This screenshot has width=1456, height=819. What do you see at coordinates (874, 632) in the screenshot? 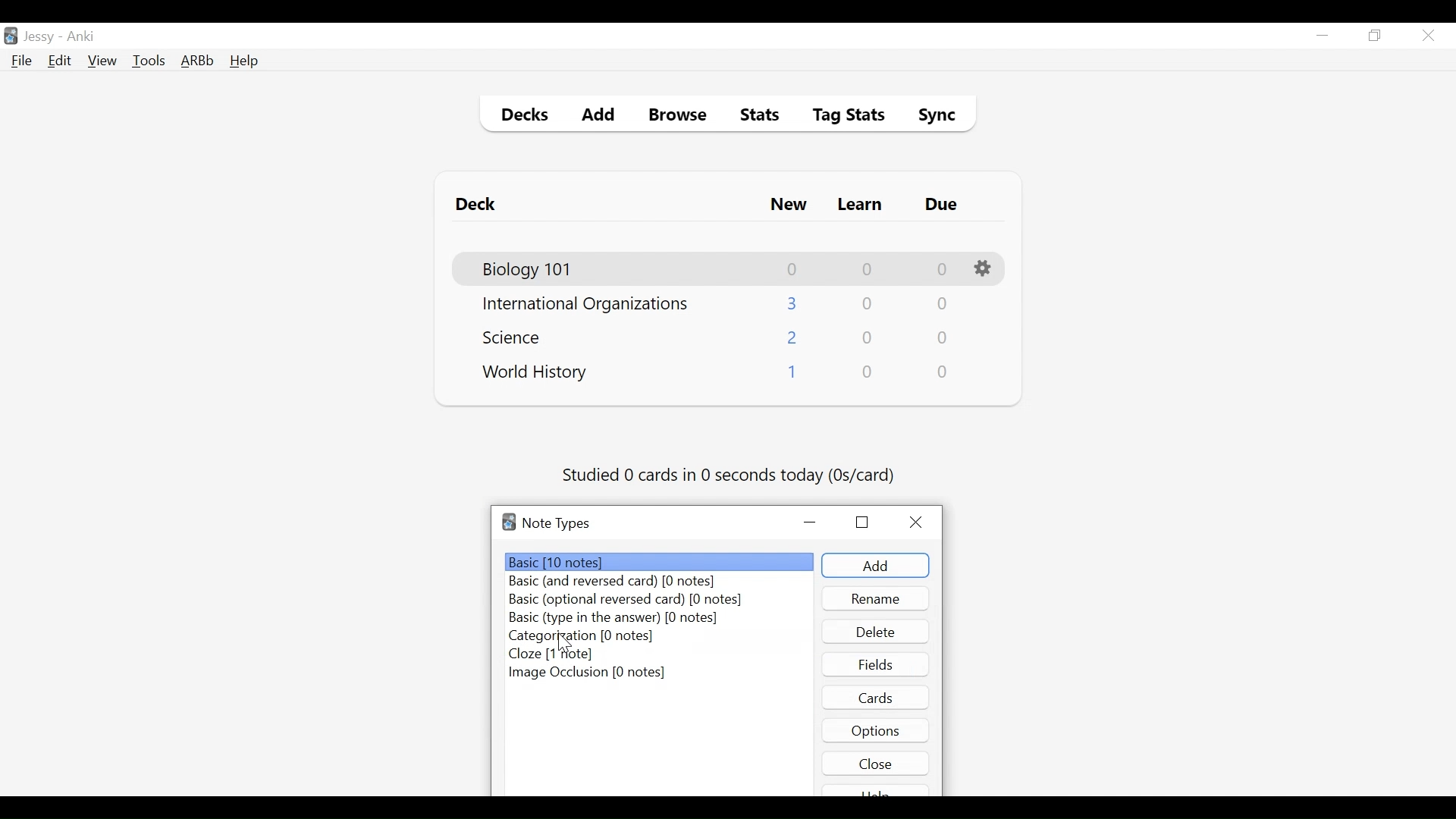
I see `Delete` at bounding box center [874, 632].